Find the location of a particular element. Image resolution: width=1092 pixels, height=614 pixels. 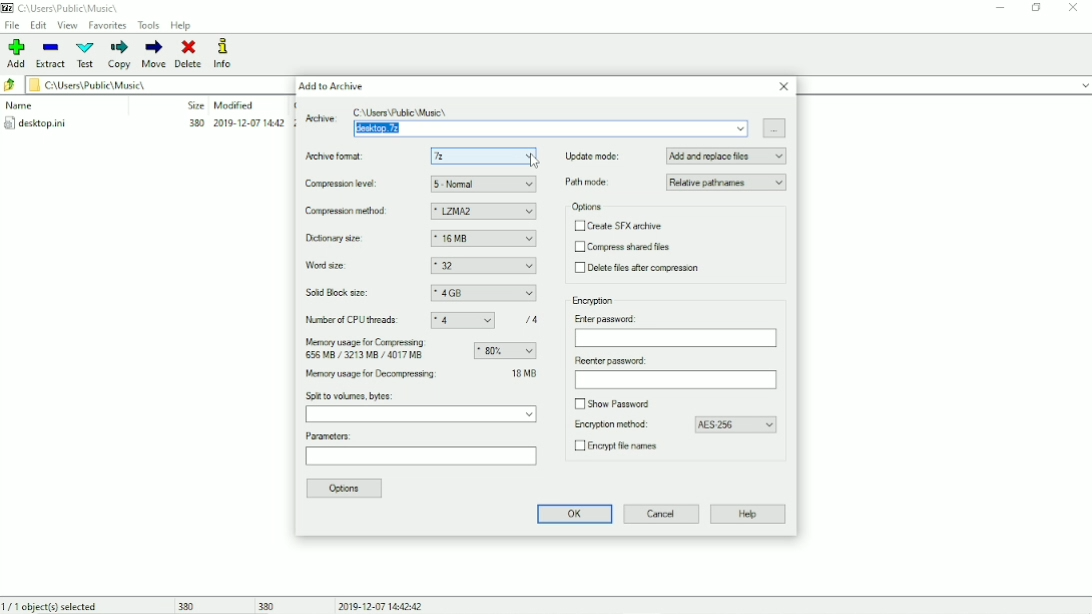

Create SFX archive is located at coordinates (618, 226).